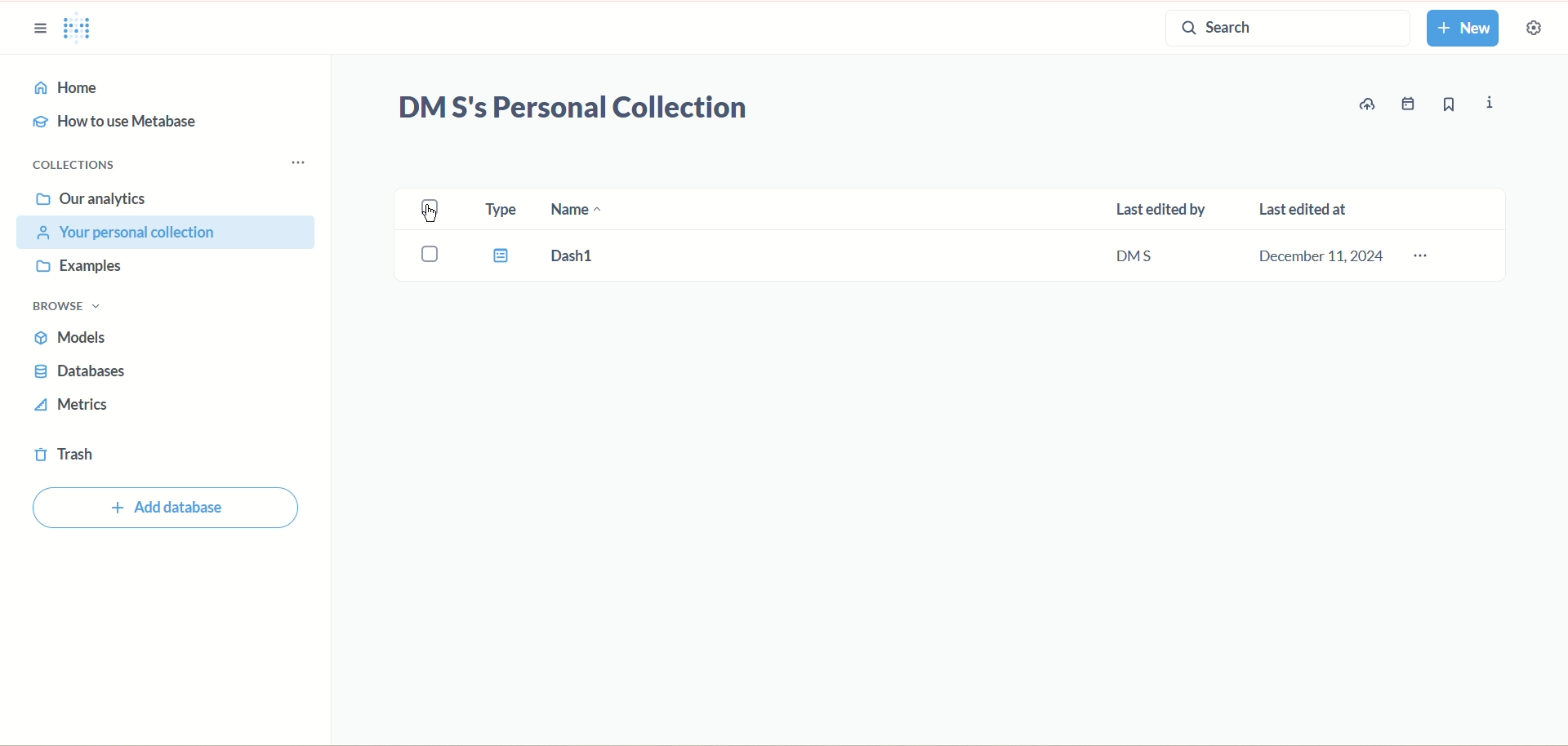  What do you see at coordinates (434, 212) in the screenshot?
I see `check box` at bounding box center [434, 212].